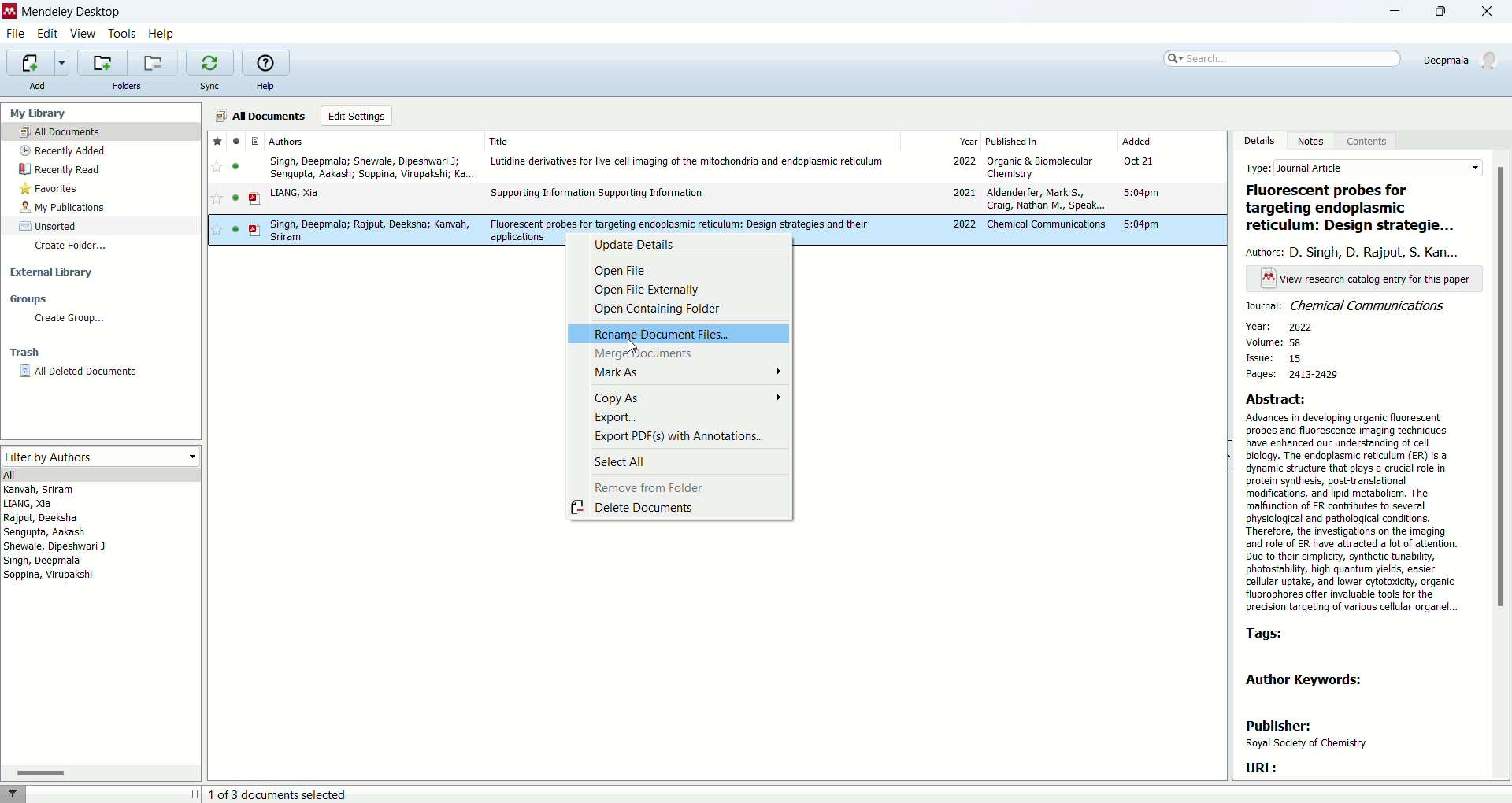 The width and height of the screenshot is (1512, 803). I want to click on account, so click(1458, 59).